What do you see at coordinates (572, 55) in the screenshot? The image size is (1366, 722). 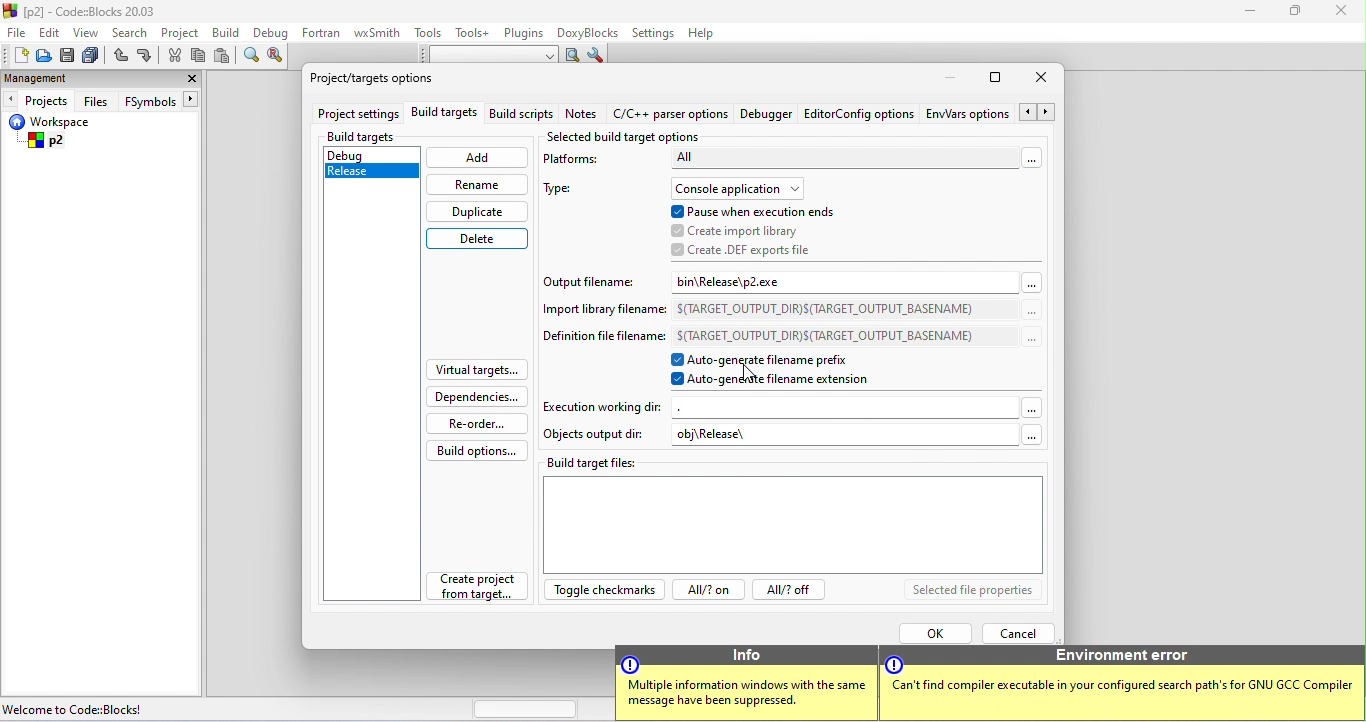 I see `run search` at bounding box center [572, 55].